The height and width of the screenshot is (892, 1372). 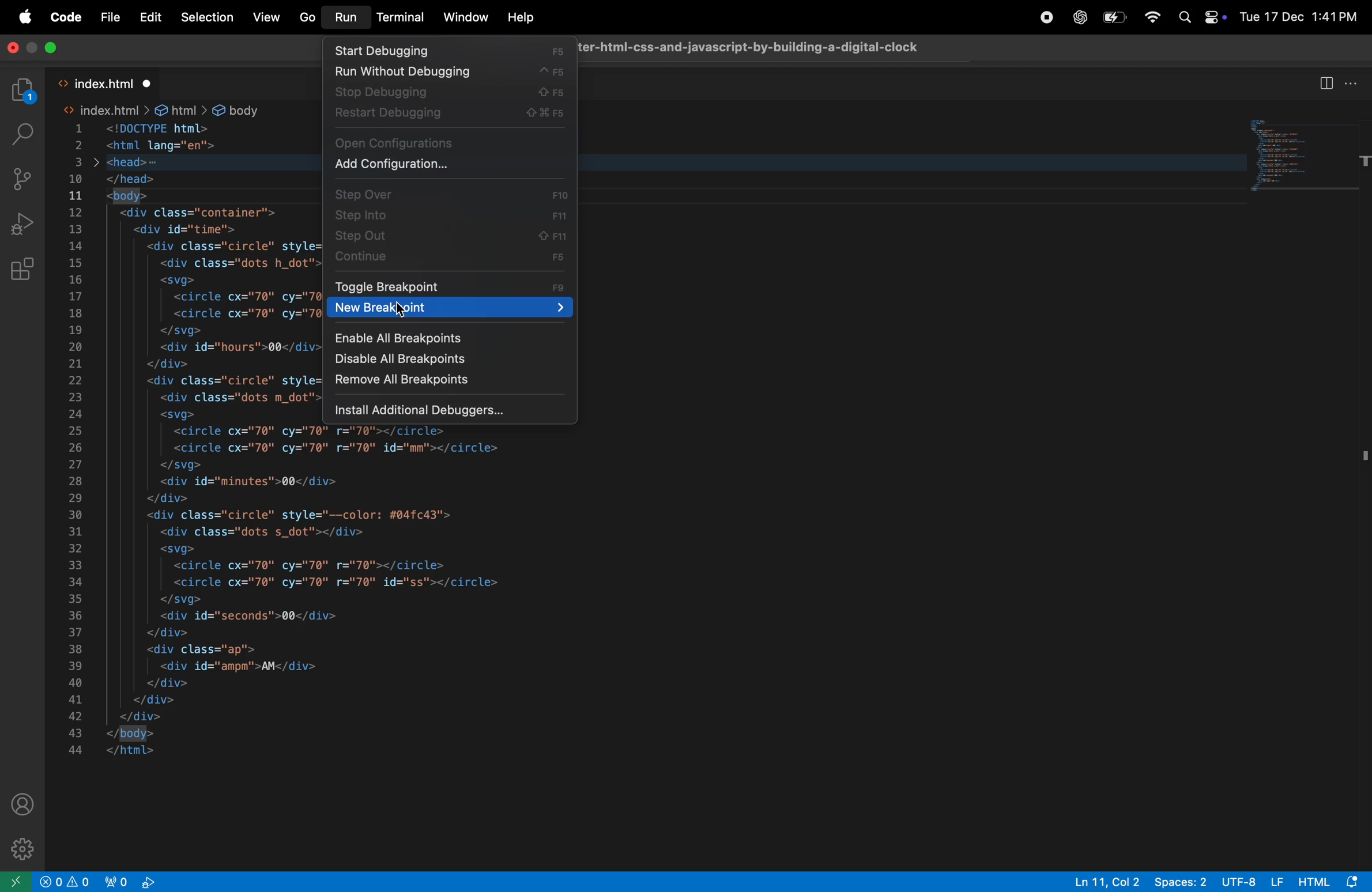 What do you see at coordinates (451, 286) in the screenshot?
I see `toggle breakpoint` at bounding box center [451, 286].